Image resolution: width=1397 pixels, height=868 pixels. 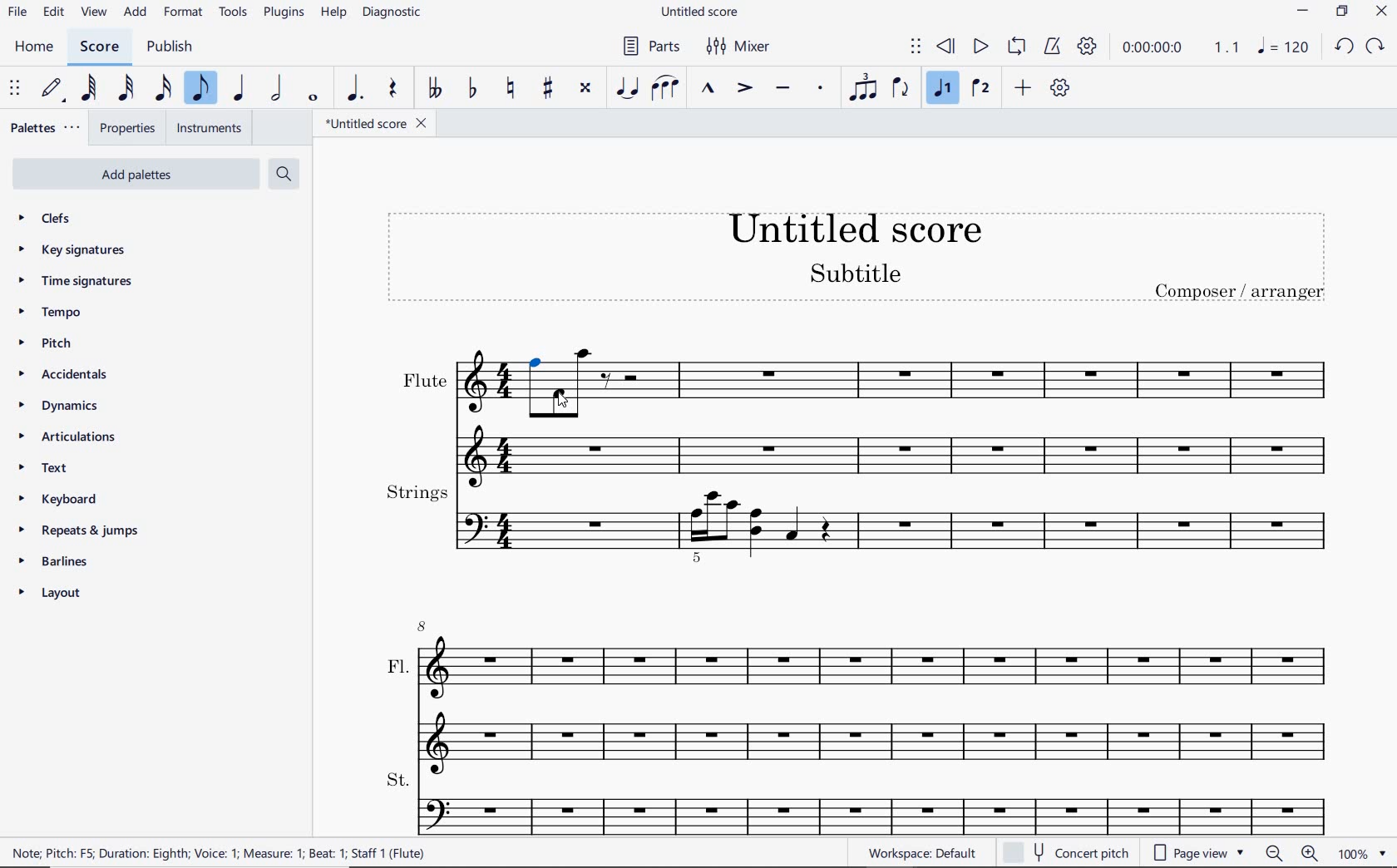 What do you see at coordinates (239, 91) in the screenshot?
I see `QUARTER NOTE` at bounding box center [239, 91].